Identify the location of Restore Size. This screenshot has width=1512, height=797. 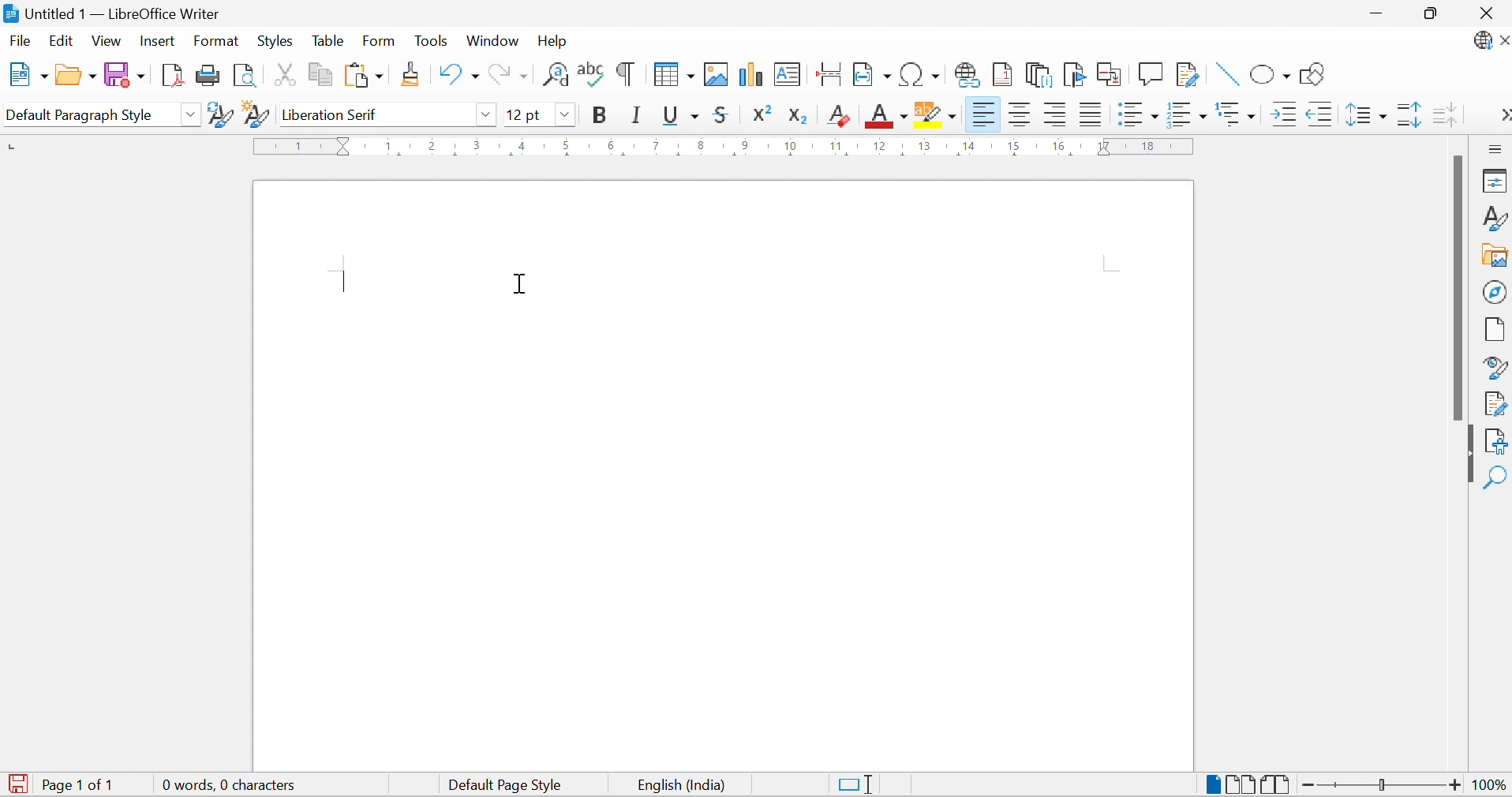
(1432, 17).